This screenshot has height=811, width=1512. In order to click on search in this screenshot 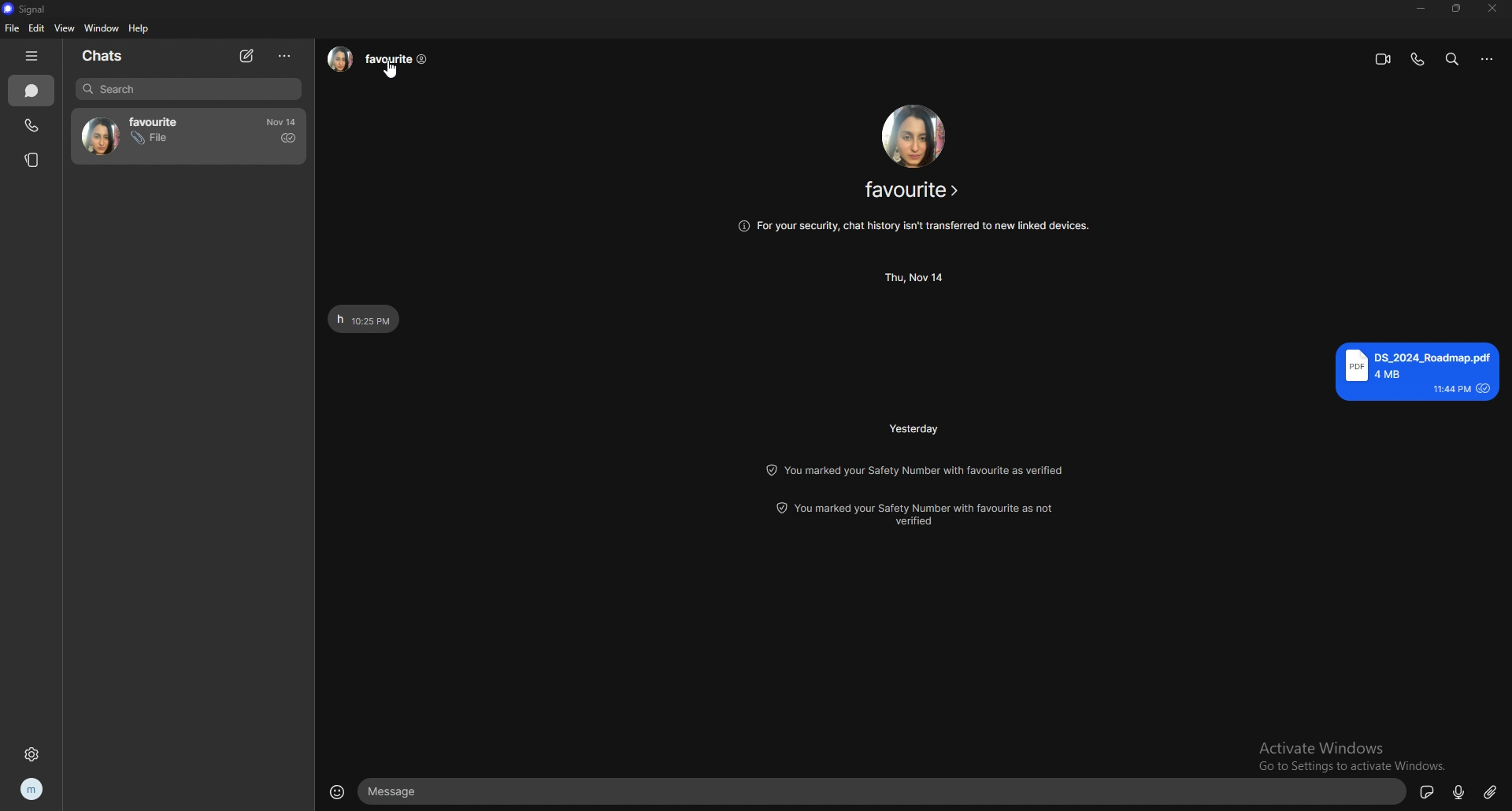, I will do `click(188, 90)`.